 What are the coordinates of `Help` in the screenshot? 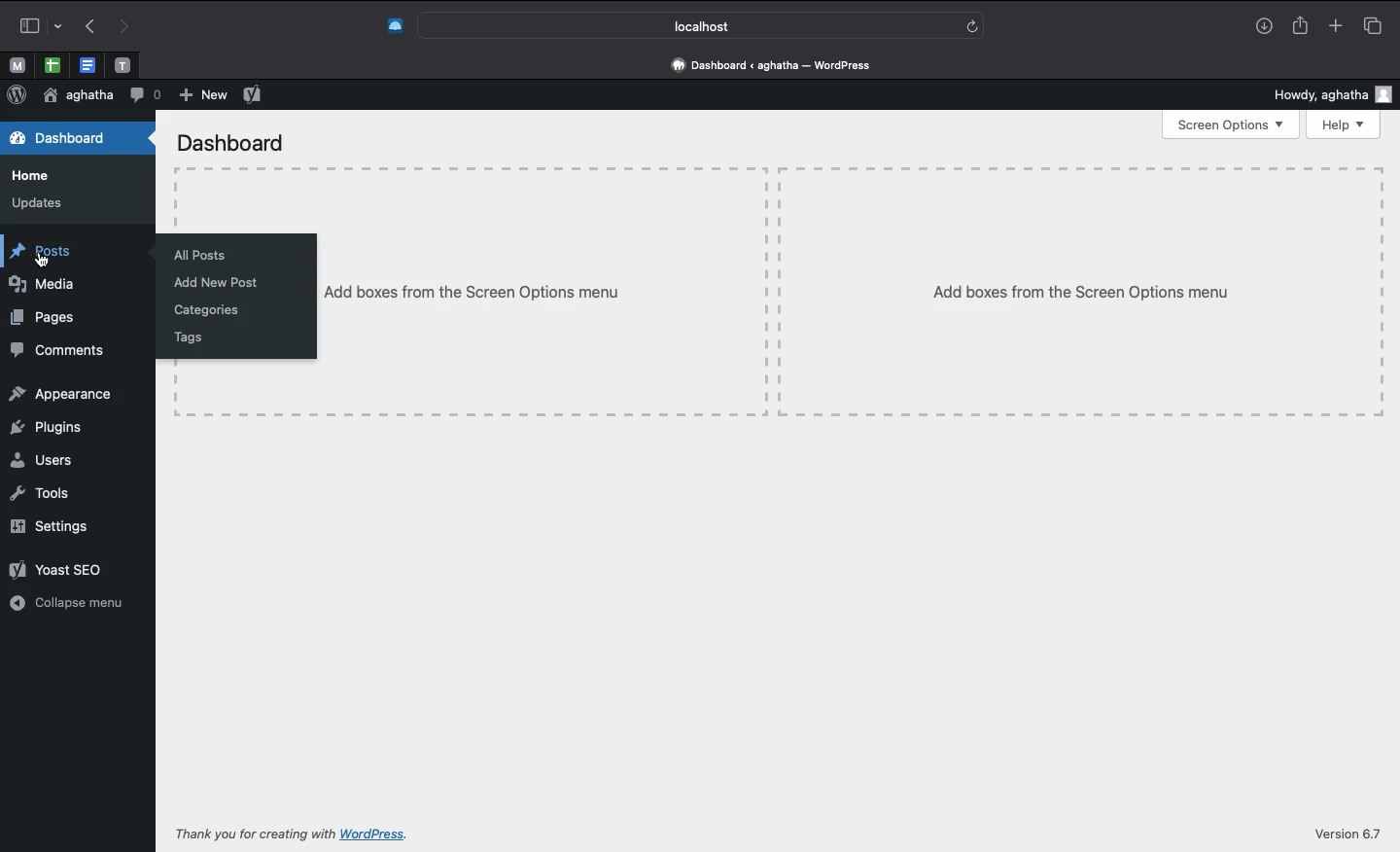 It's located at (1347, 124).